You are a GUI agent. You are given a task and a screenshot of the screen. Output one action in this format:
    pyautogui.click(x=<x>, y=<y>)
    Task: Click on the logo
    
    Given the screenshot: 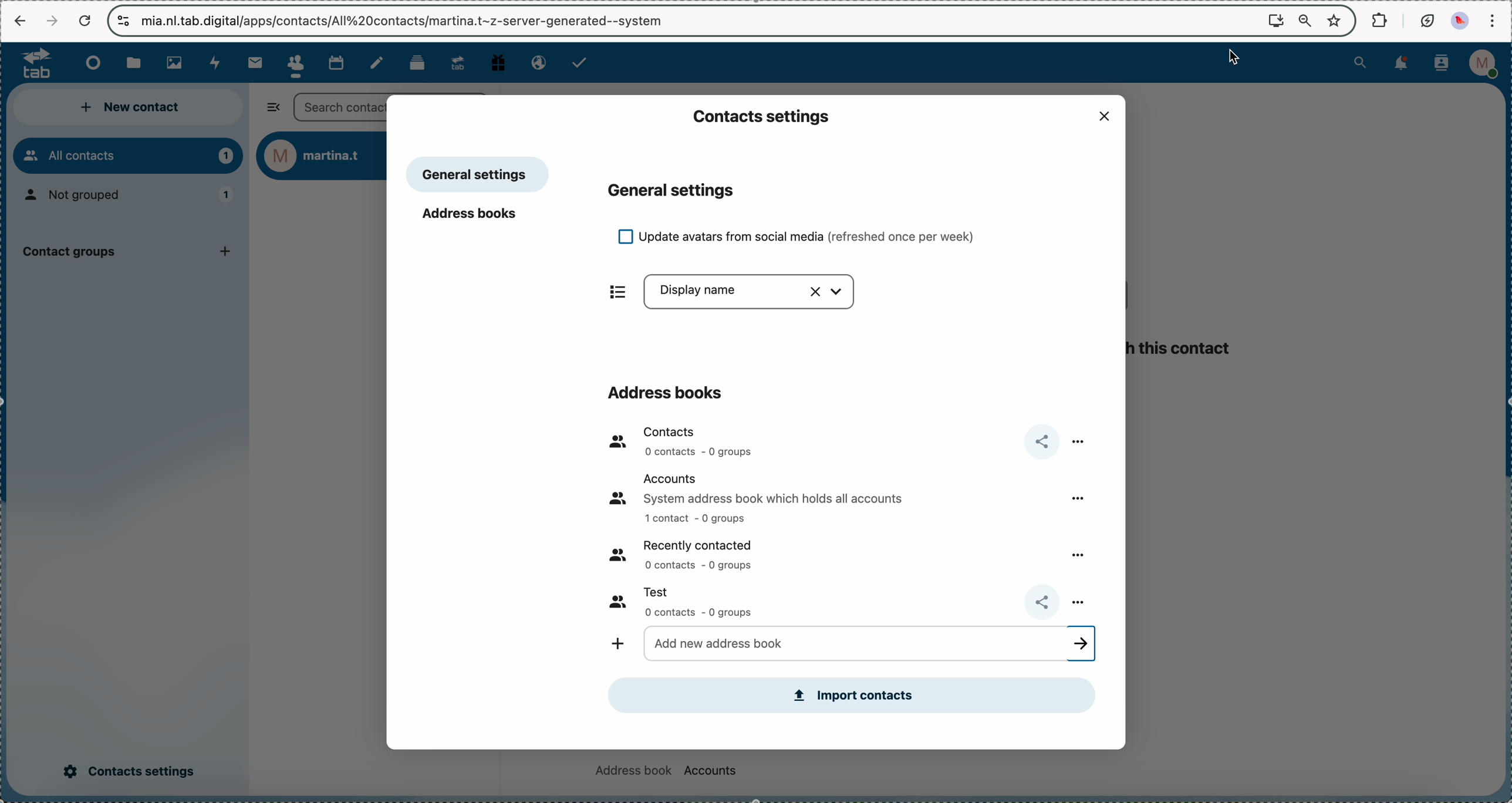 What is the action you would take?
    pyautogui.click(x=29, y=63)
    